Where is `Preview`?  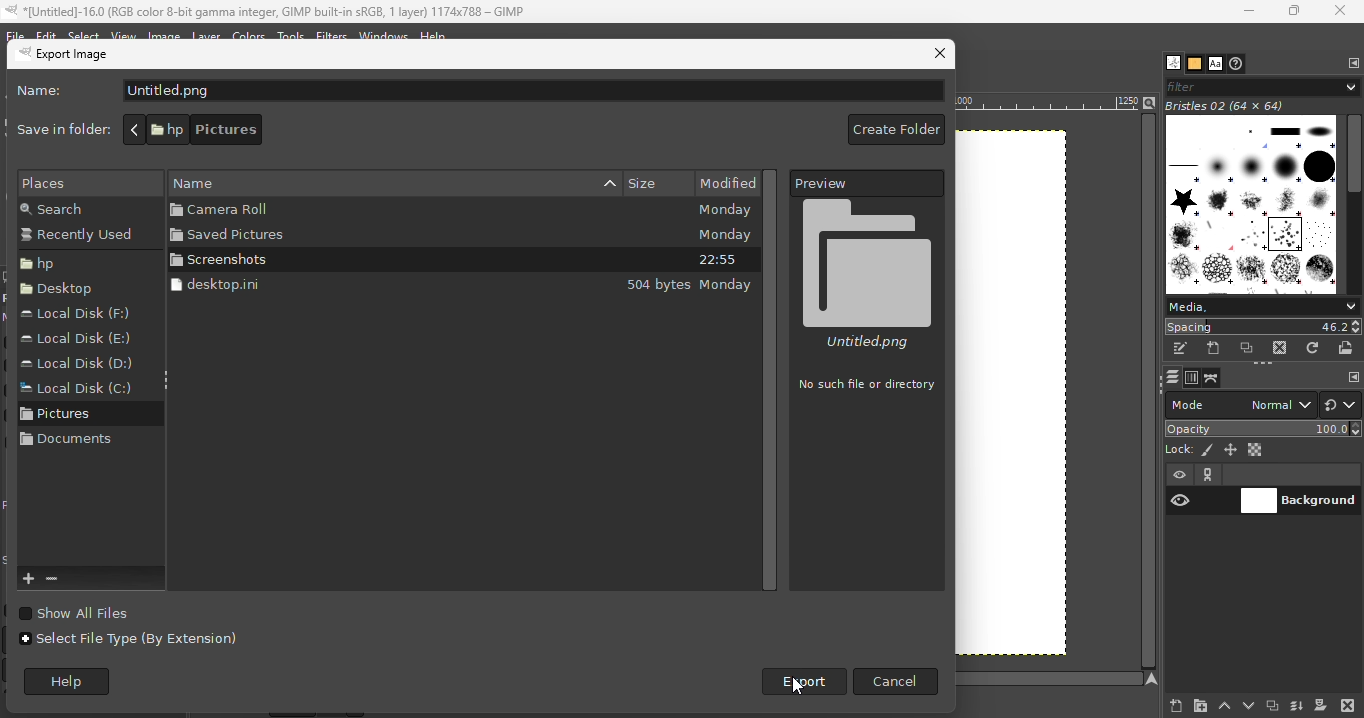
Preview is located at coordinates (868, 183).